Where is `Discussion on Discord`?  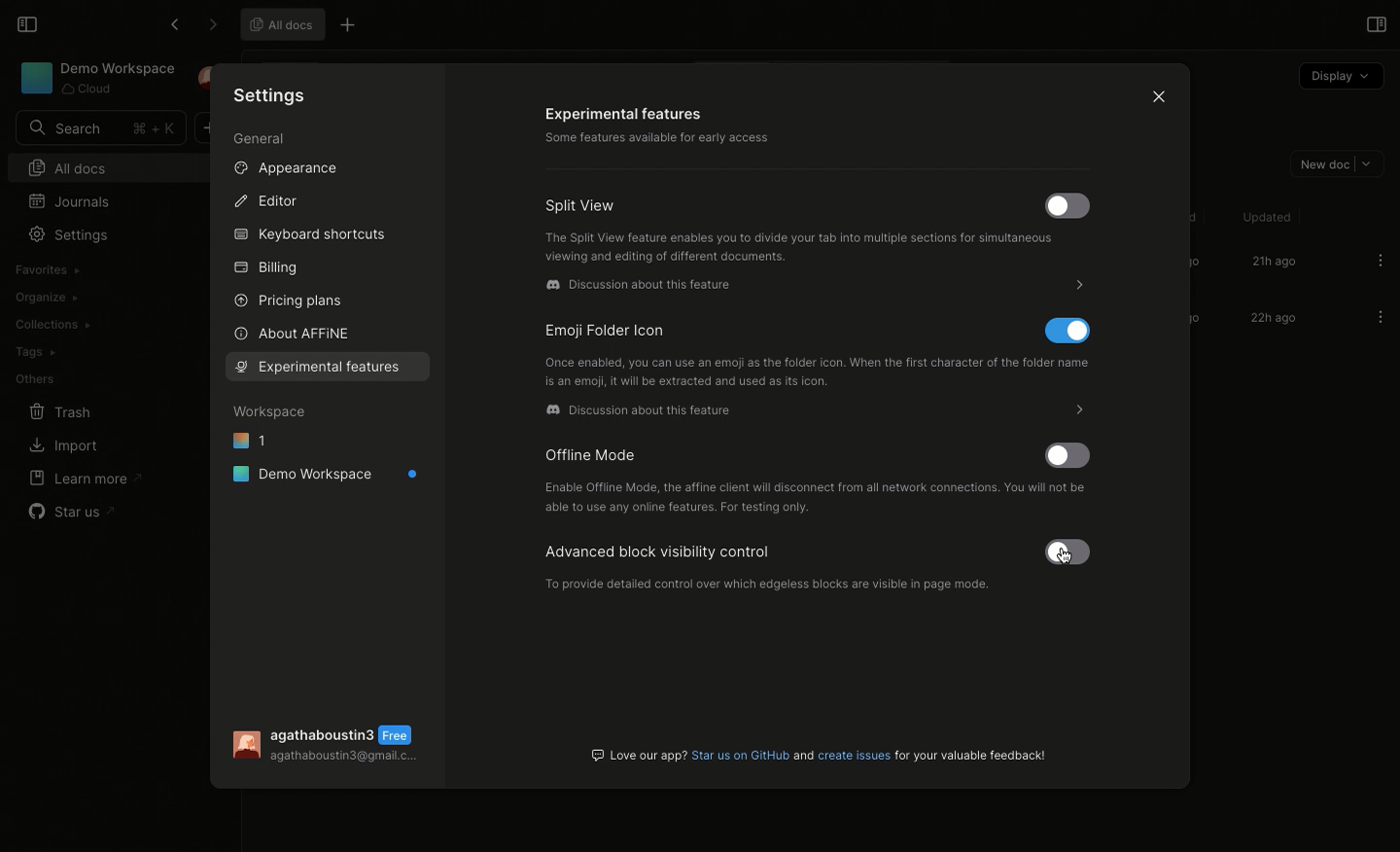
Discussion on Discord is located at coordinates (631, 412).